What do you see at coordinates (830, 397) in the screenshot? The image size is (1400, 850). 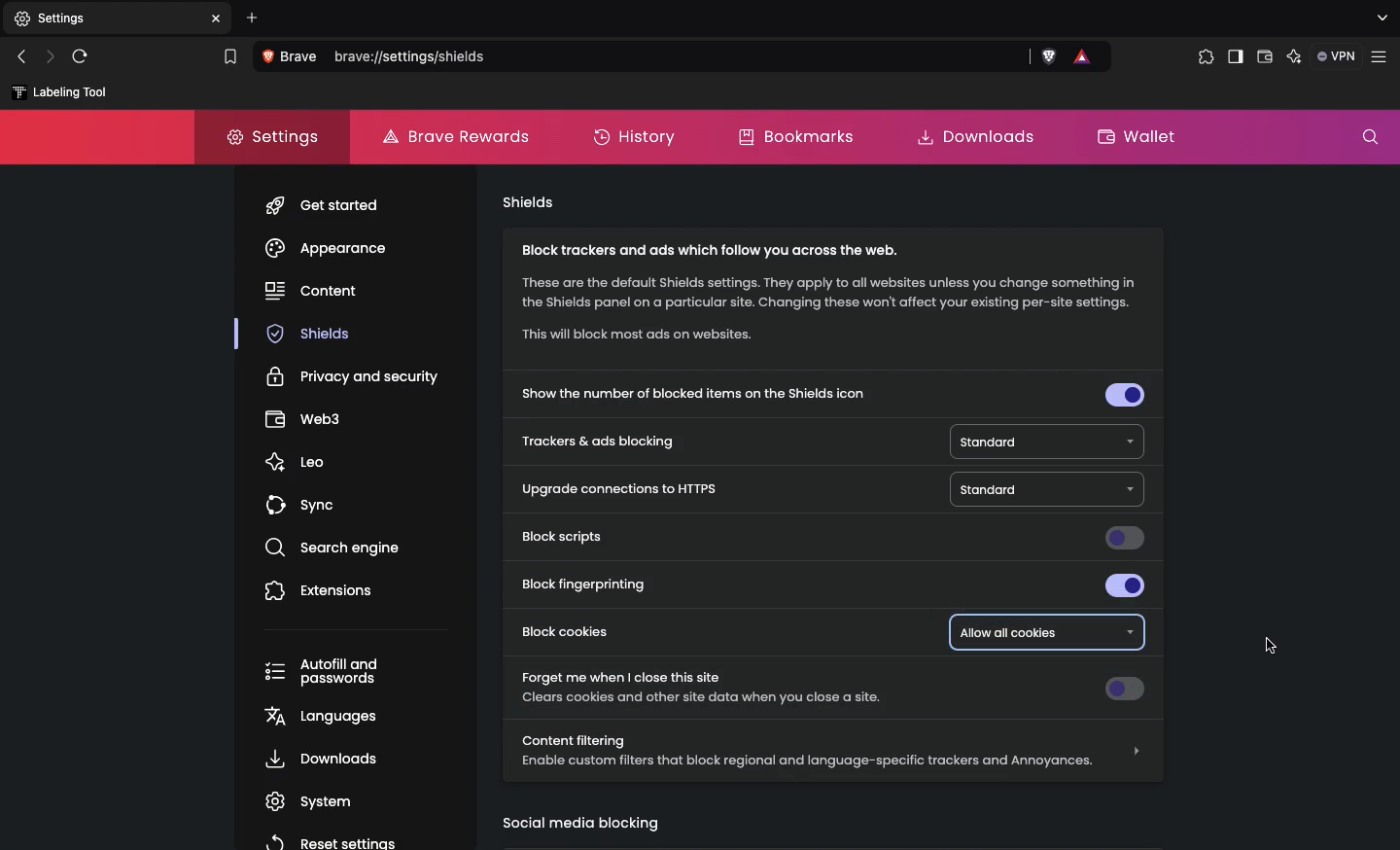 I see `Show the number of blocked items on the shields icon` at bounding box center [830, 397].